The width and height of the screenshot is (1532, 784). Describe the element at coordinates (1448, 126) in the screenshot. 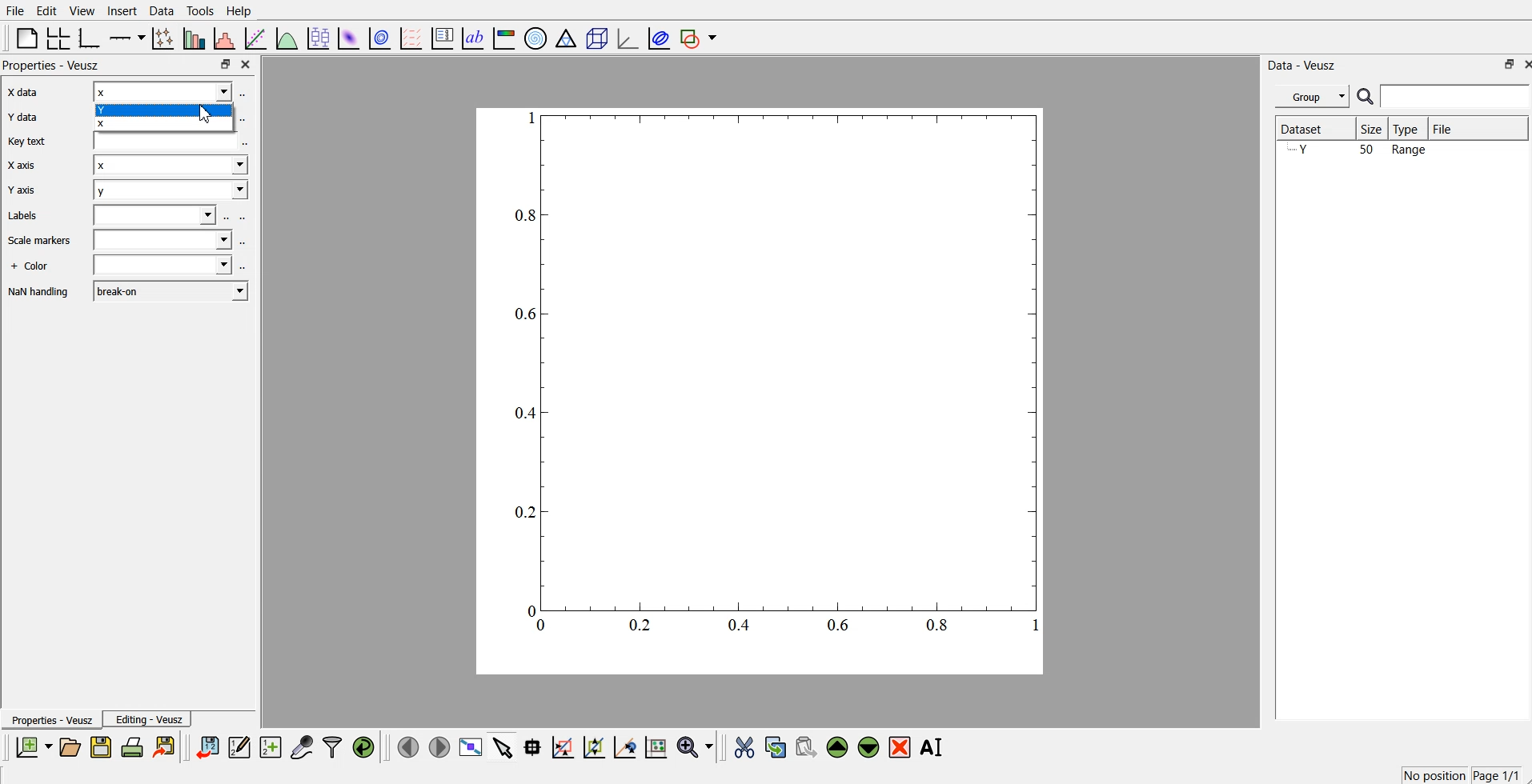

I see `File` at that location.